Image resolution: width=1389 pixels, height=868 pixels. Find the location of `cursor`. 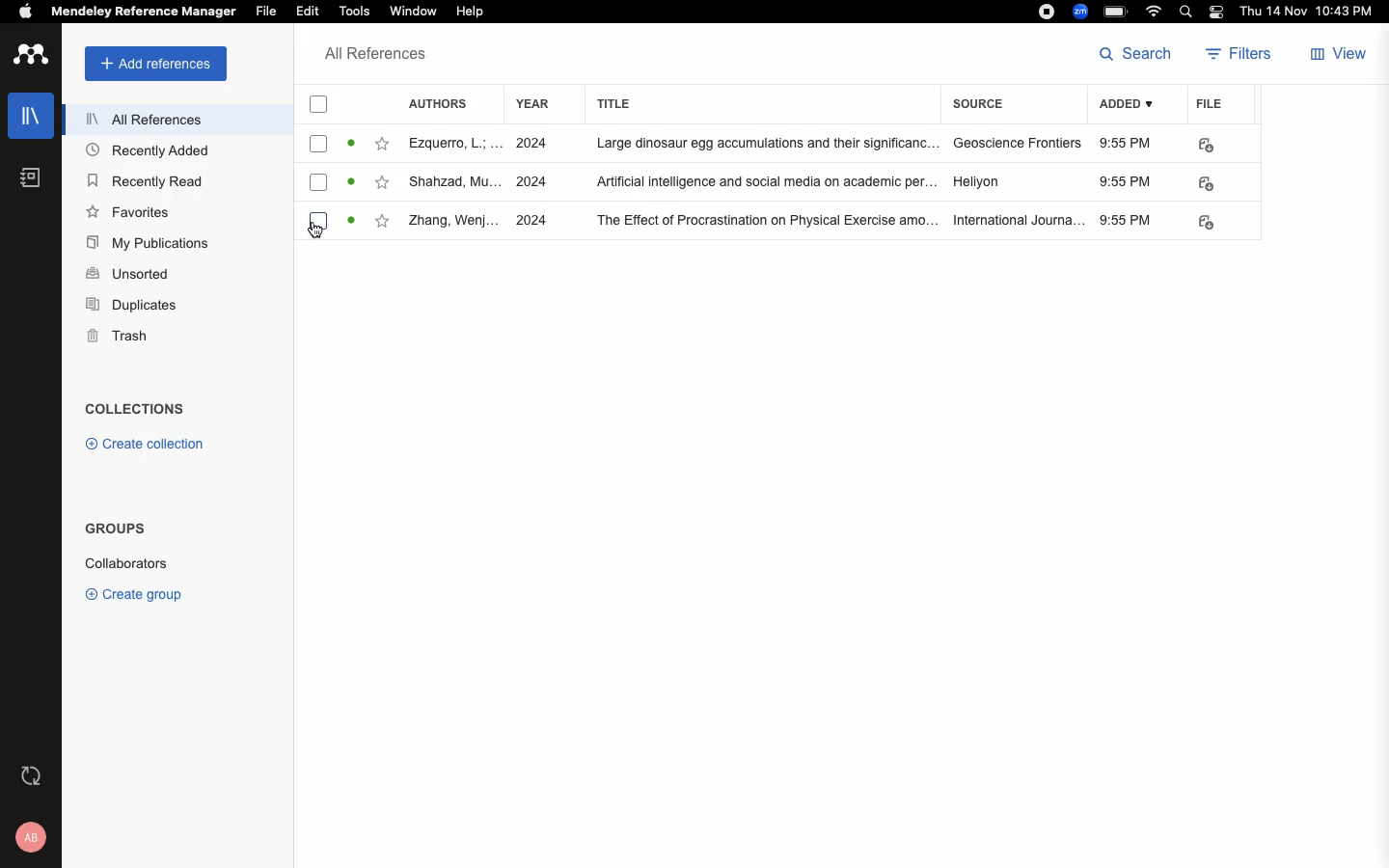

cursor is located at coordinates (314, 229).